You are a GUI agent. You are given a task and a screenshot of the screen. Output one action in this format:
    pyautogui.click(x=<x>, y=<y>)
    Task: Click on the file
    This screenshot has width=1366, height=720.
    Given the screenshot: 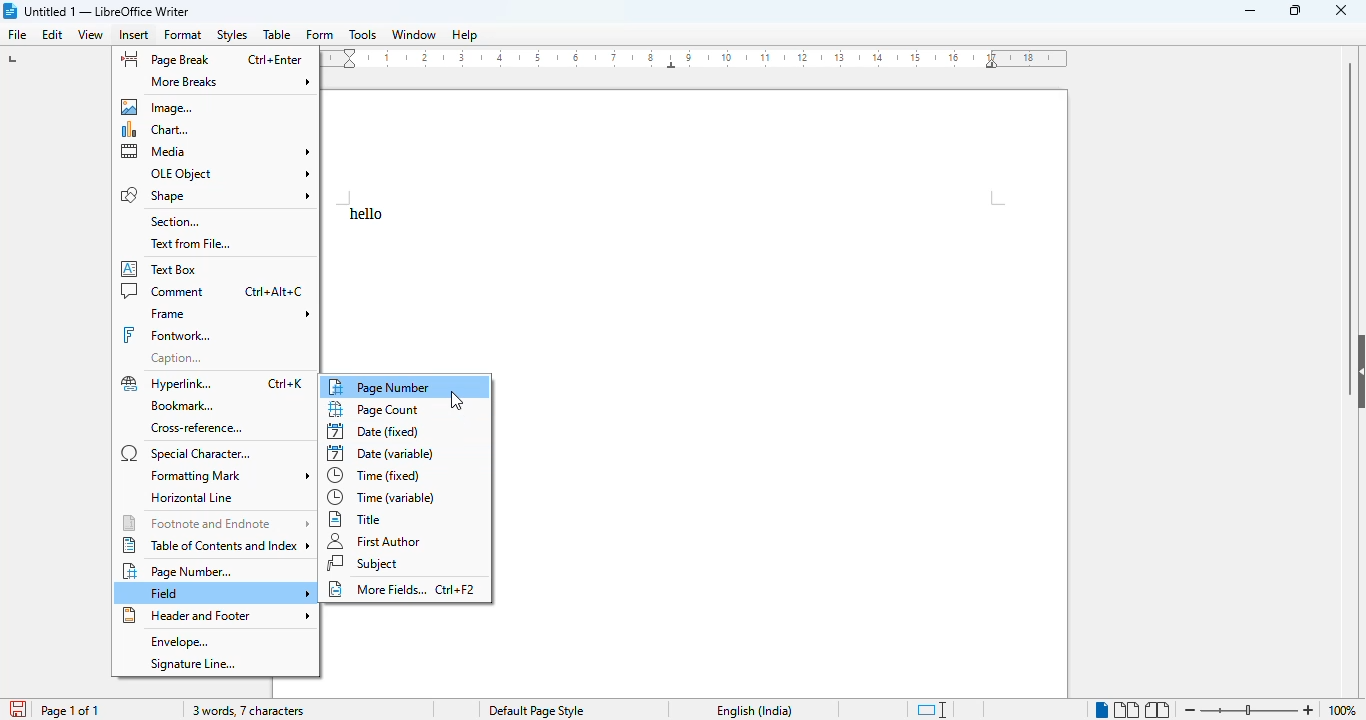 What is the action you would take?
    pyautogui.click(x=16, y=34)
    